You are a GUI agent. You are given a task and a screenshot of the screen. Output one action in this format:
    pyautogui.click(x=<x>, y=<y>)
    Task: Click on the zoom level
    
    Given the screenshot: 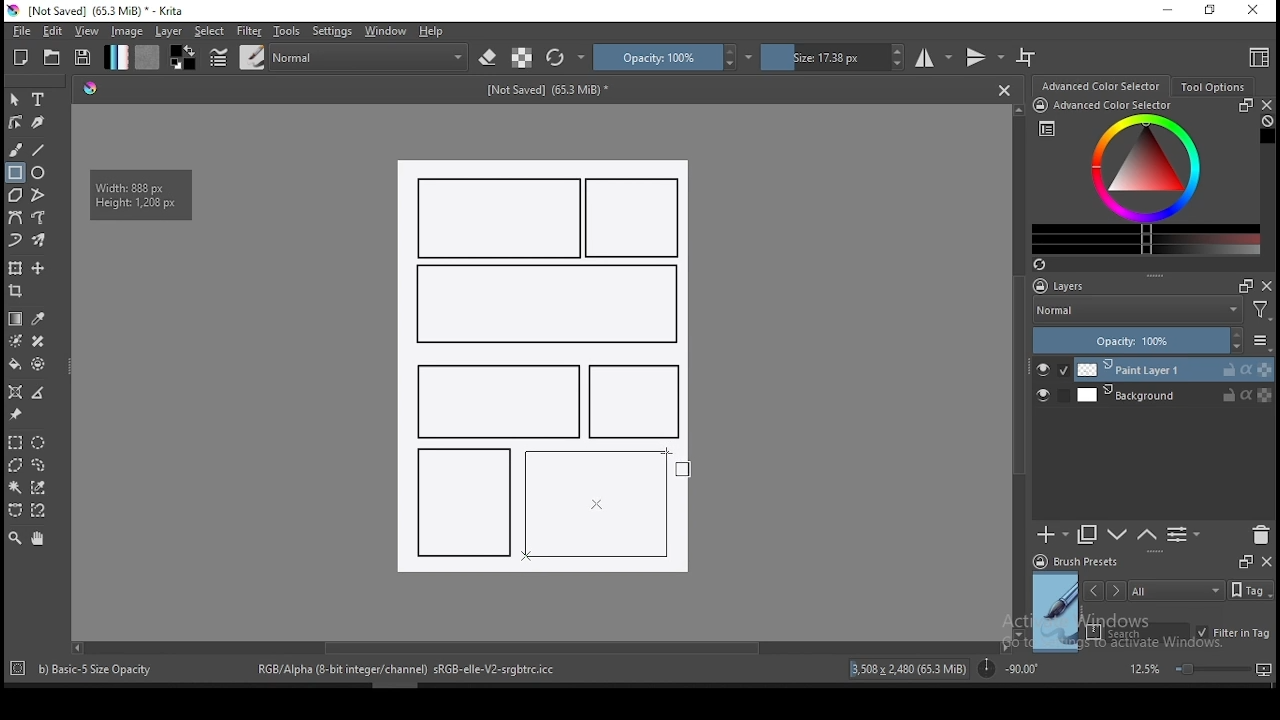 What is the action you would take?
    pyautogui.click(x=1200, y=668)
    